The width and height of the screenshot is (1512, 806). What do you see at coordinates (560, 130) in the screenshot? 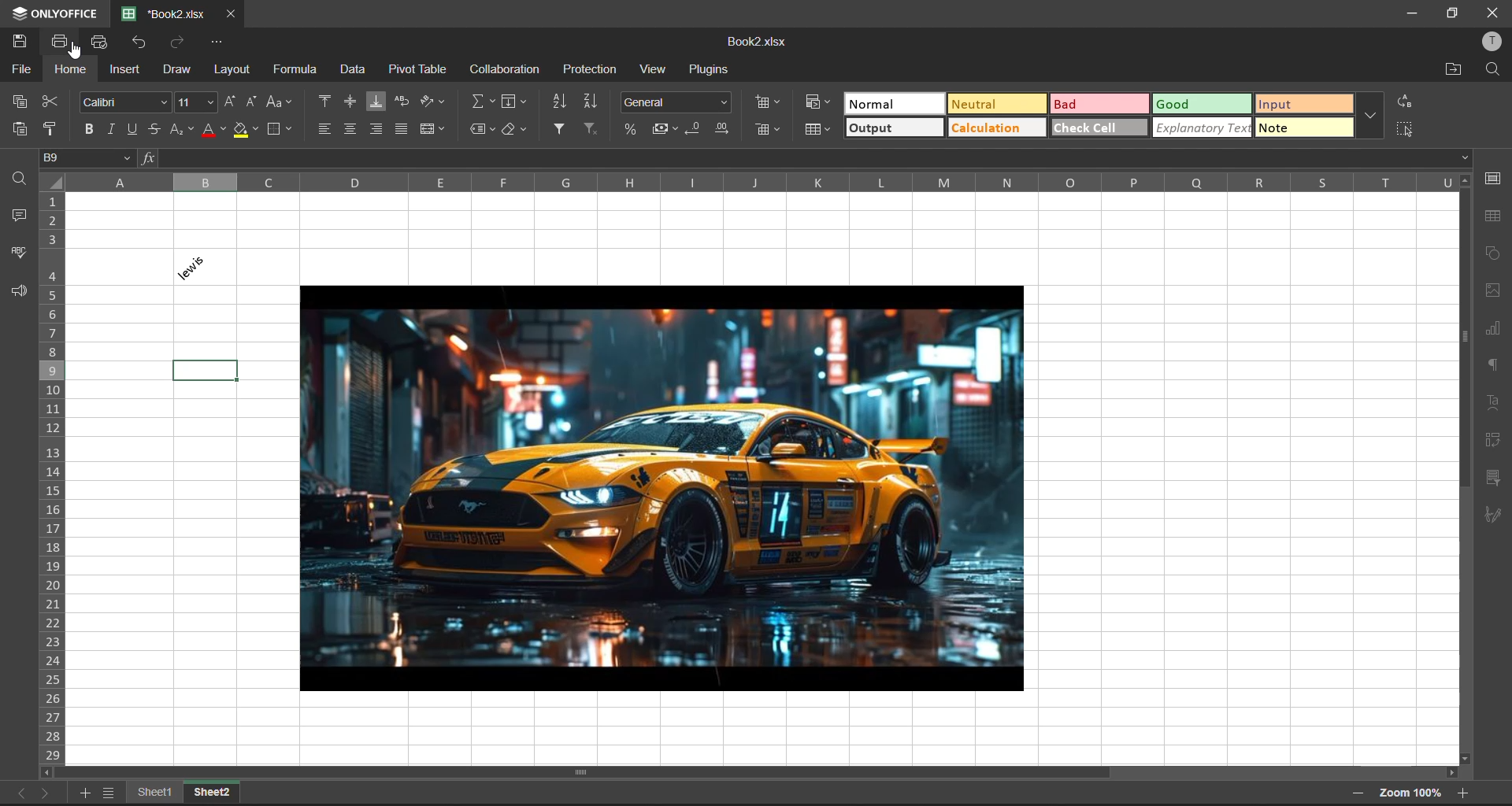
I see `filter` at bounding box center [560, 130].